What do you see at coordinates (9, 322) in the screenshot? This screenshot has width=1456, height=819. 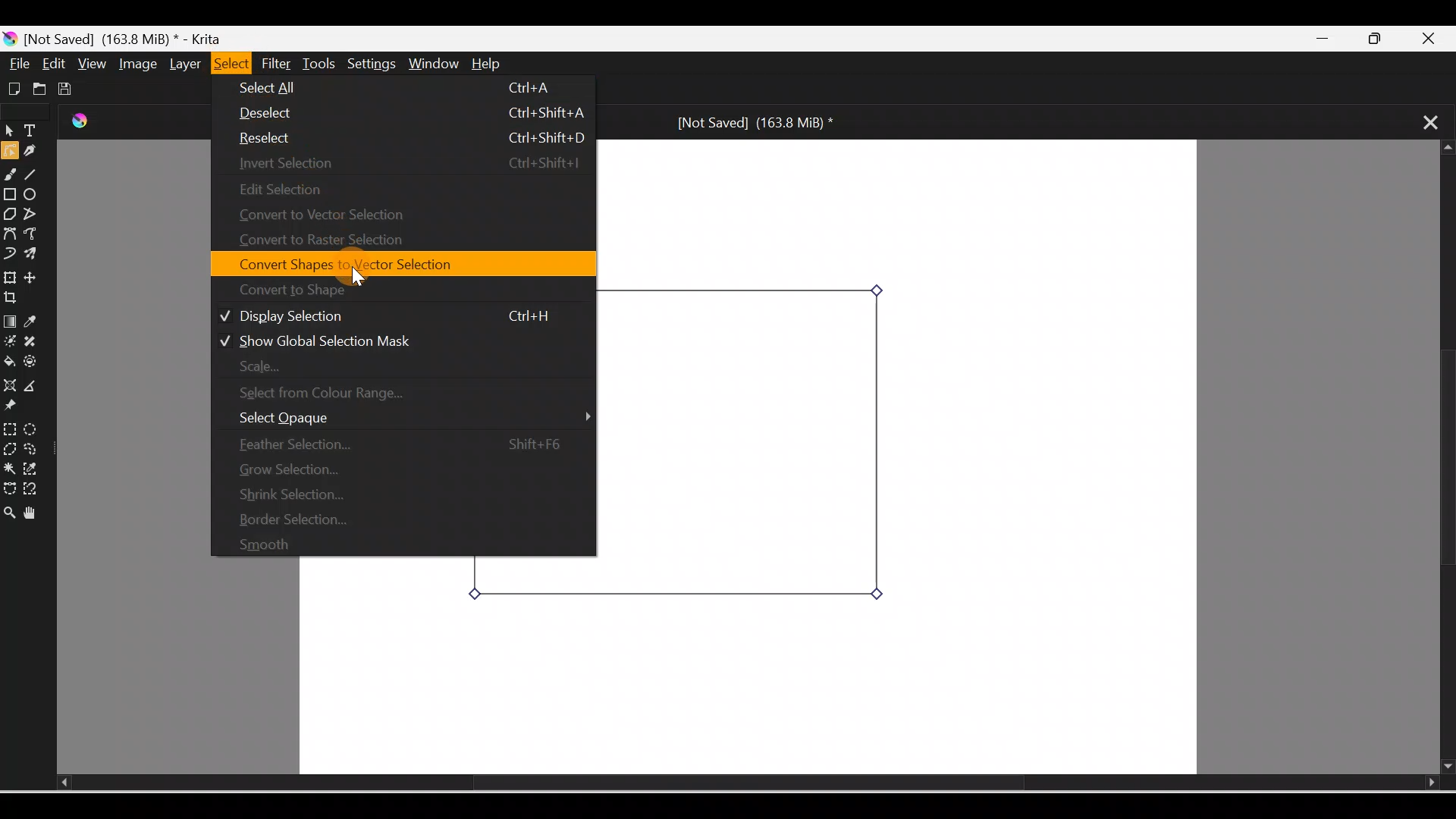 I see `Draw a gradient` at bounding box center [9, 322].